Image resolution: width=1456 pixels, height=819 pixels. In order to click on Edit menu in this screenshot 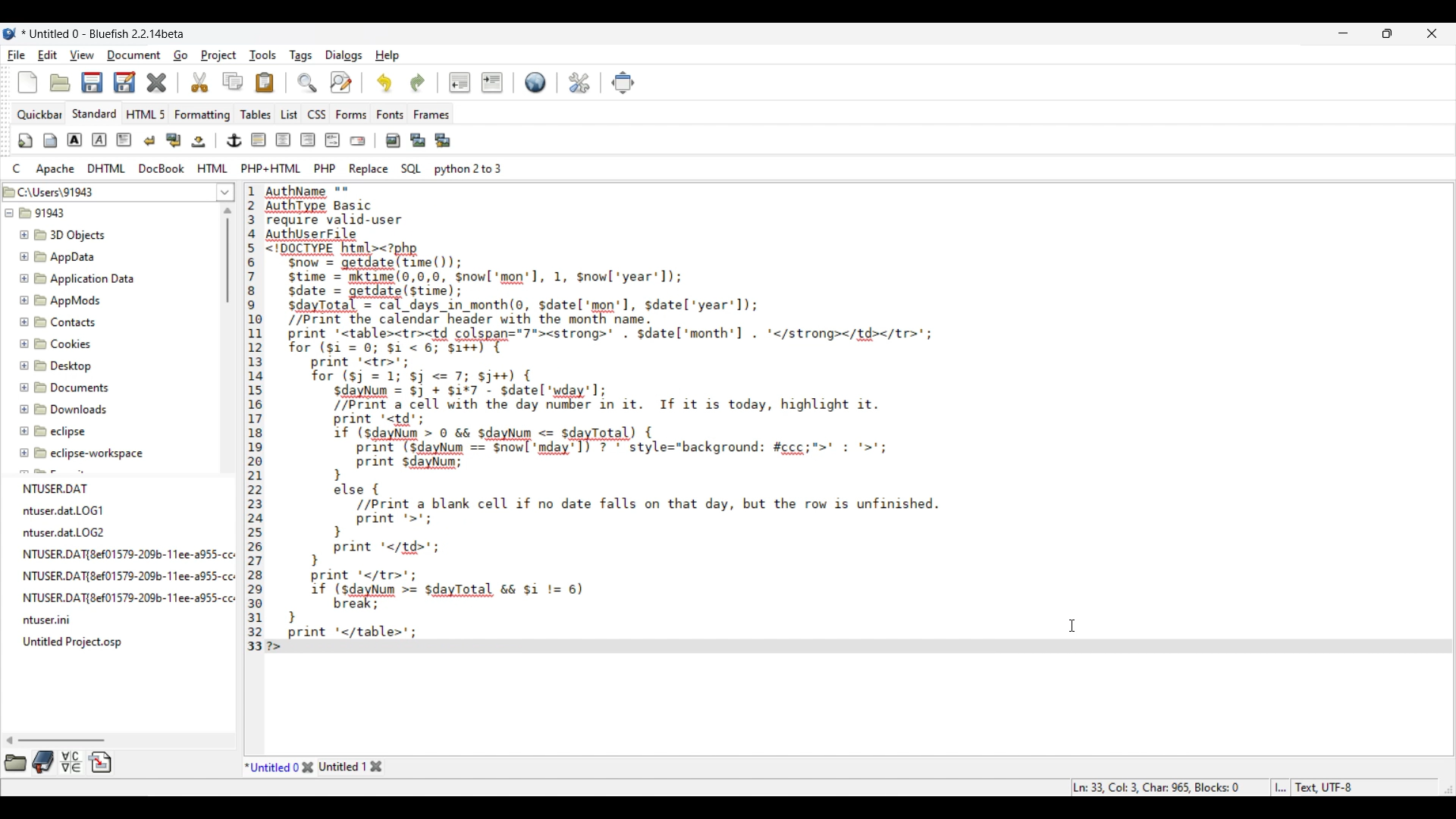, I will do `click(48, 55)`.